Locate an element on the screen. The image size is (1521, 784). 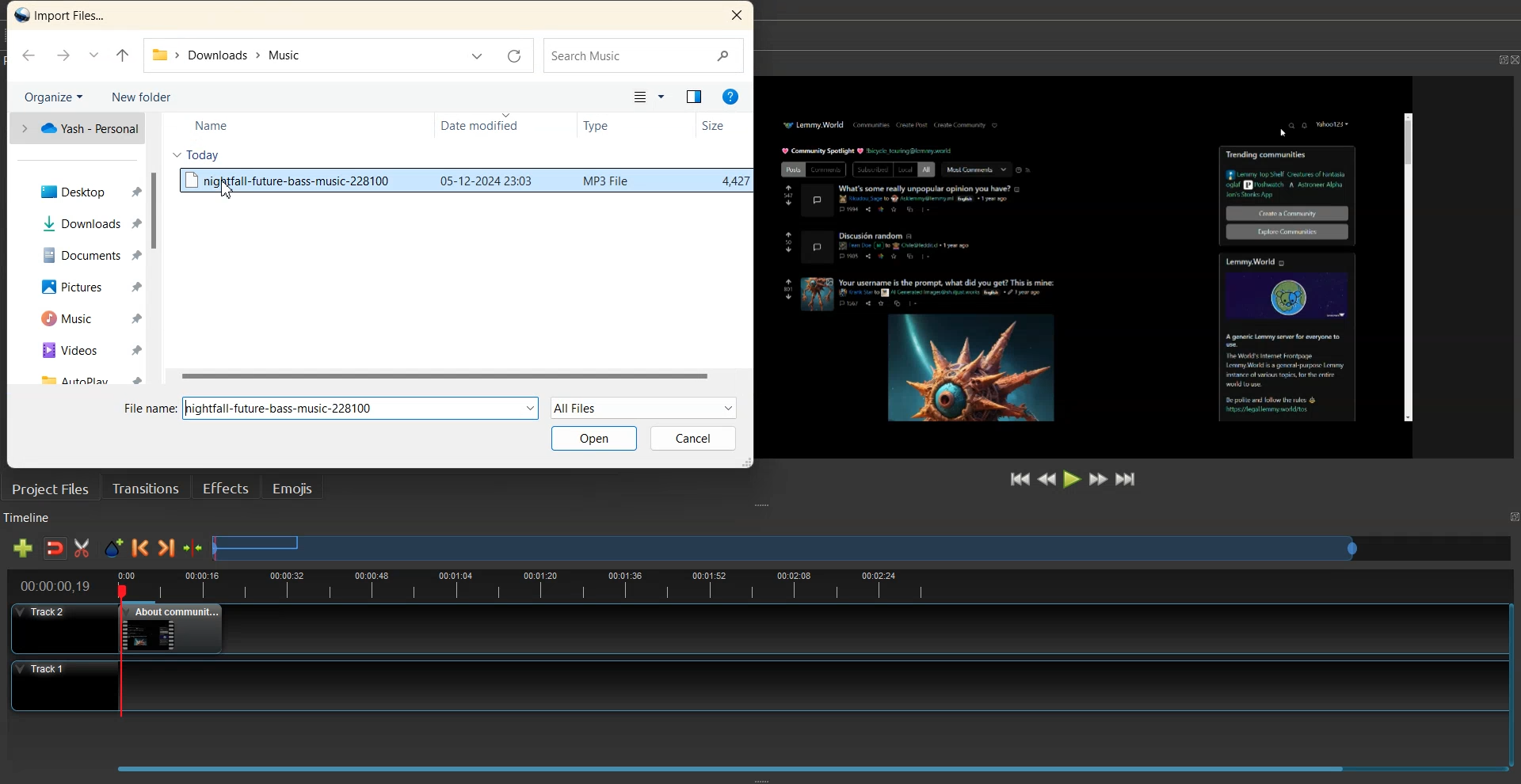
Vertical Scroll Bar is located at coordinates (1511, 678).